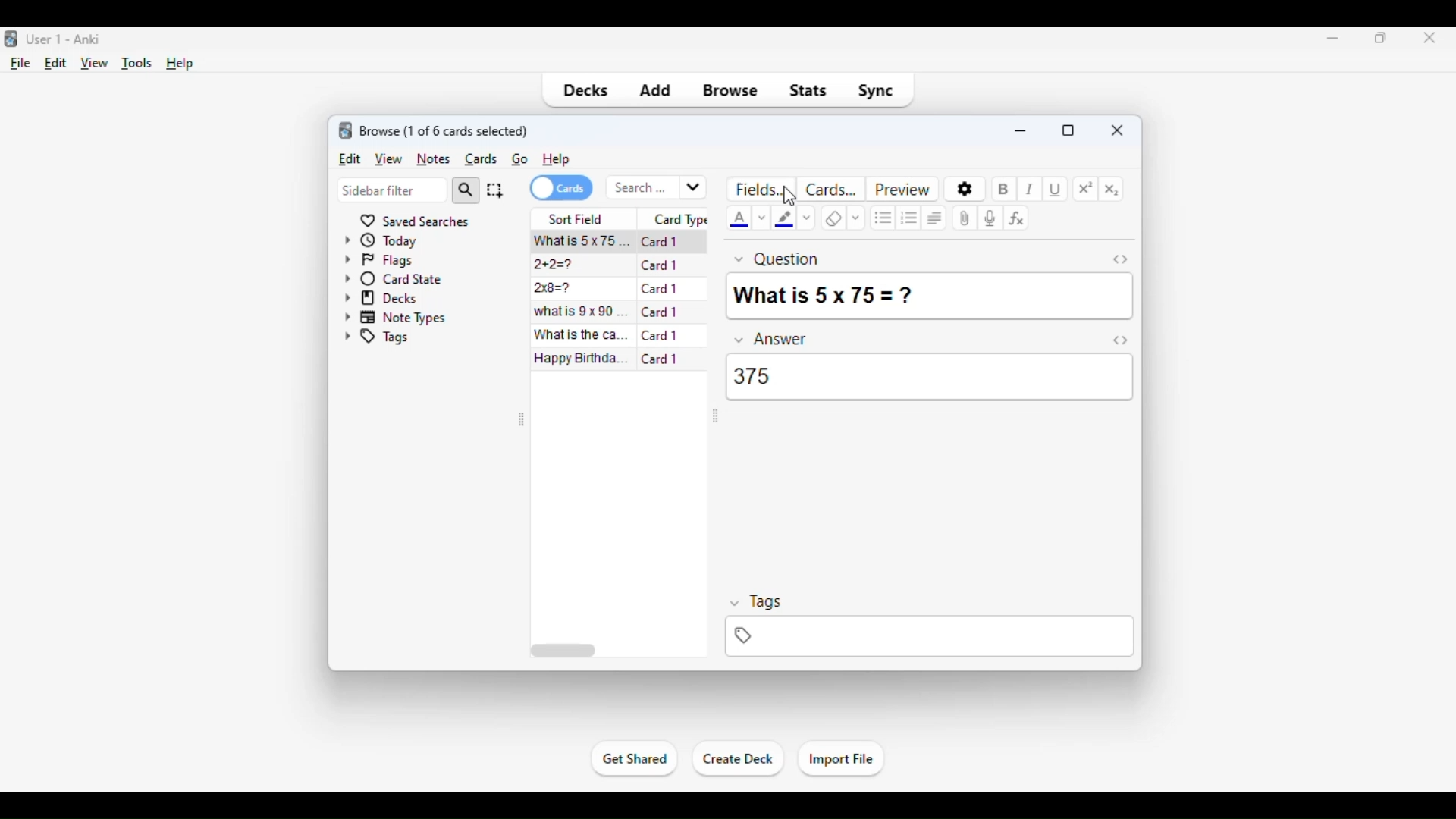 This screenshot has height=819, width=1456. I want to click on 2x8=?, so click(552, 288).